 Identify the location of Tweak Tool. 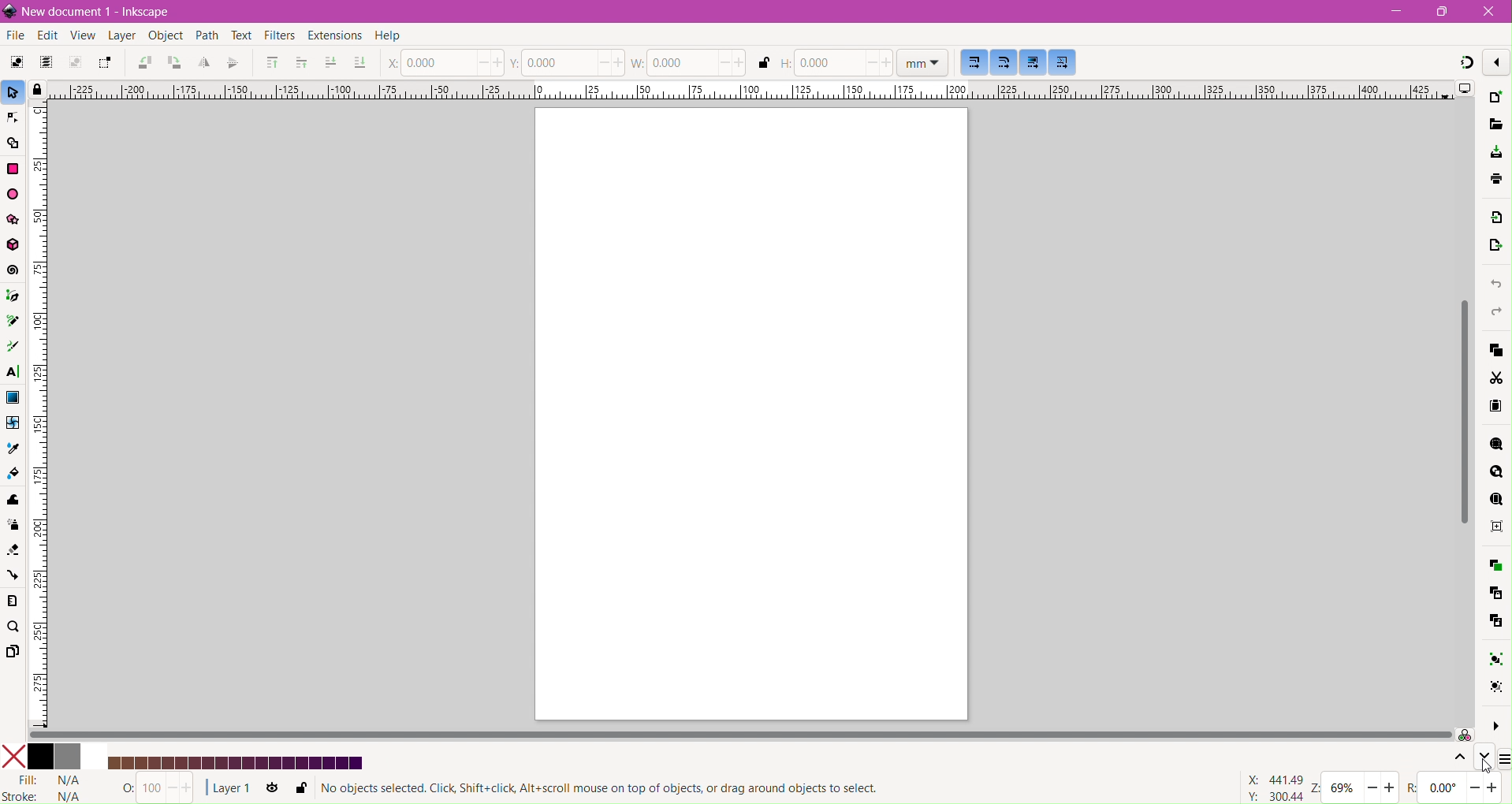
(13, 501).